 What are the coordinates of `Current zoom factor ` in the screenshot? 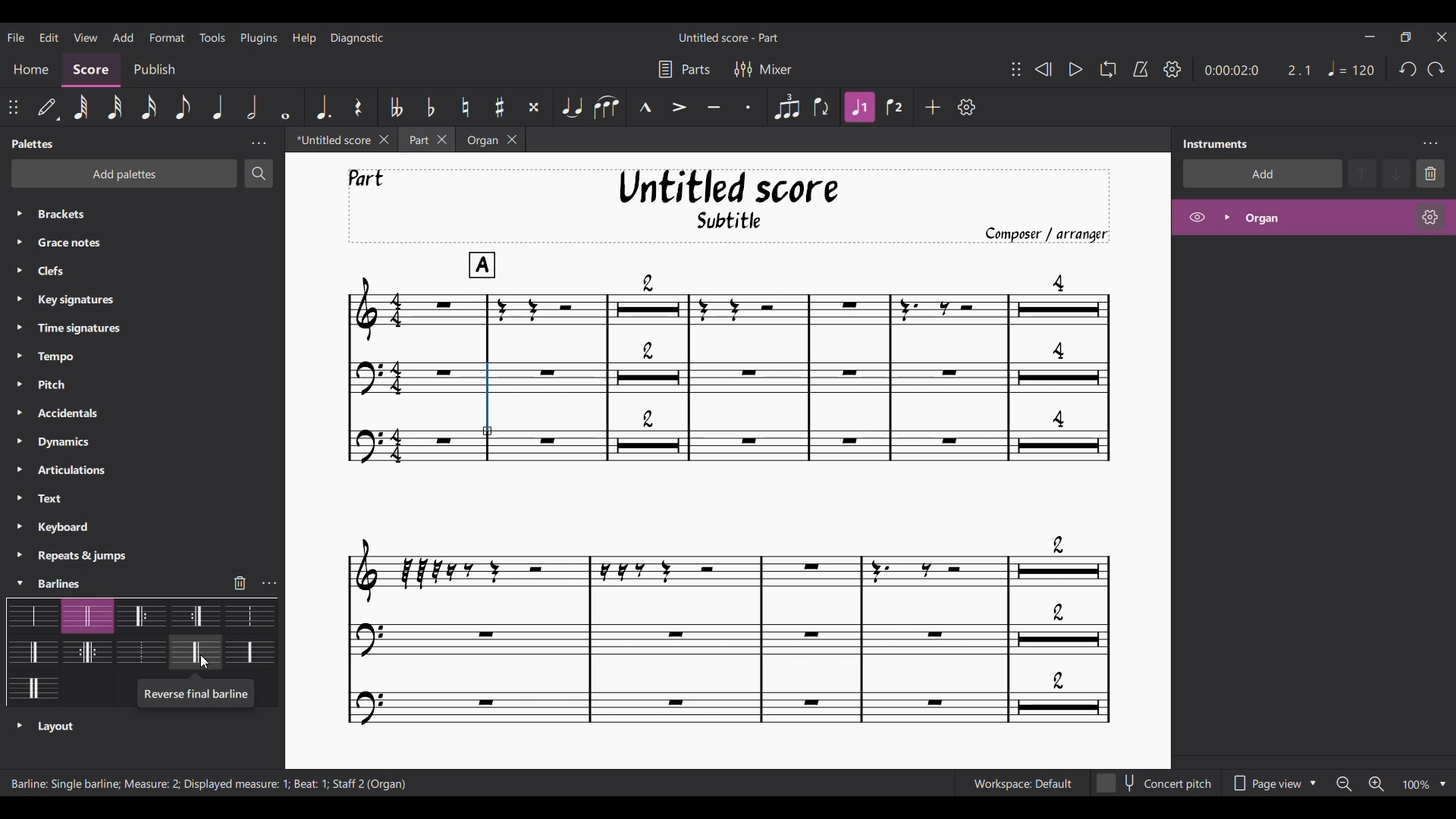 It's located at (1417, 785).